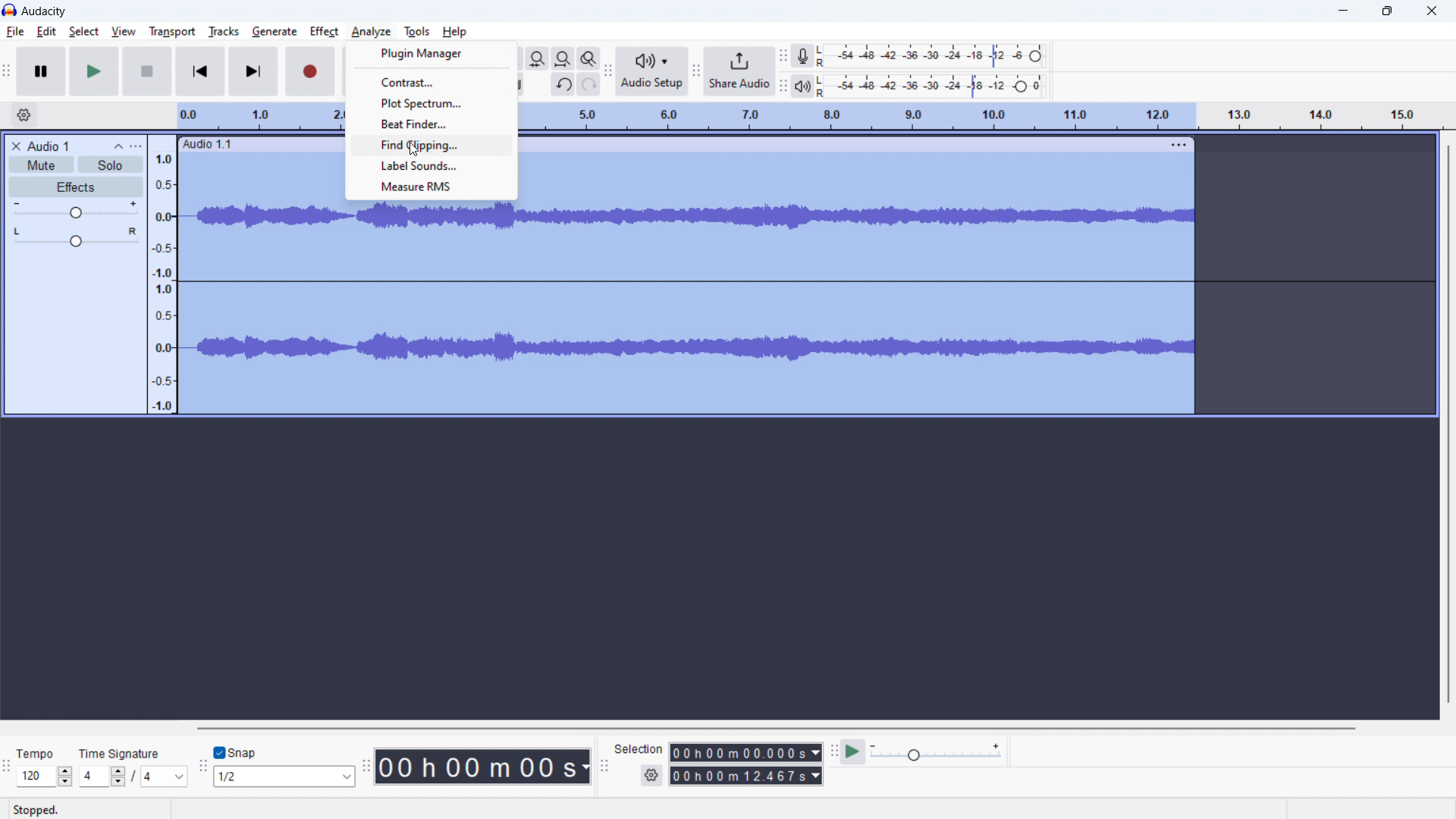  I want to click on gain, so click(76, 210).